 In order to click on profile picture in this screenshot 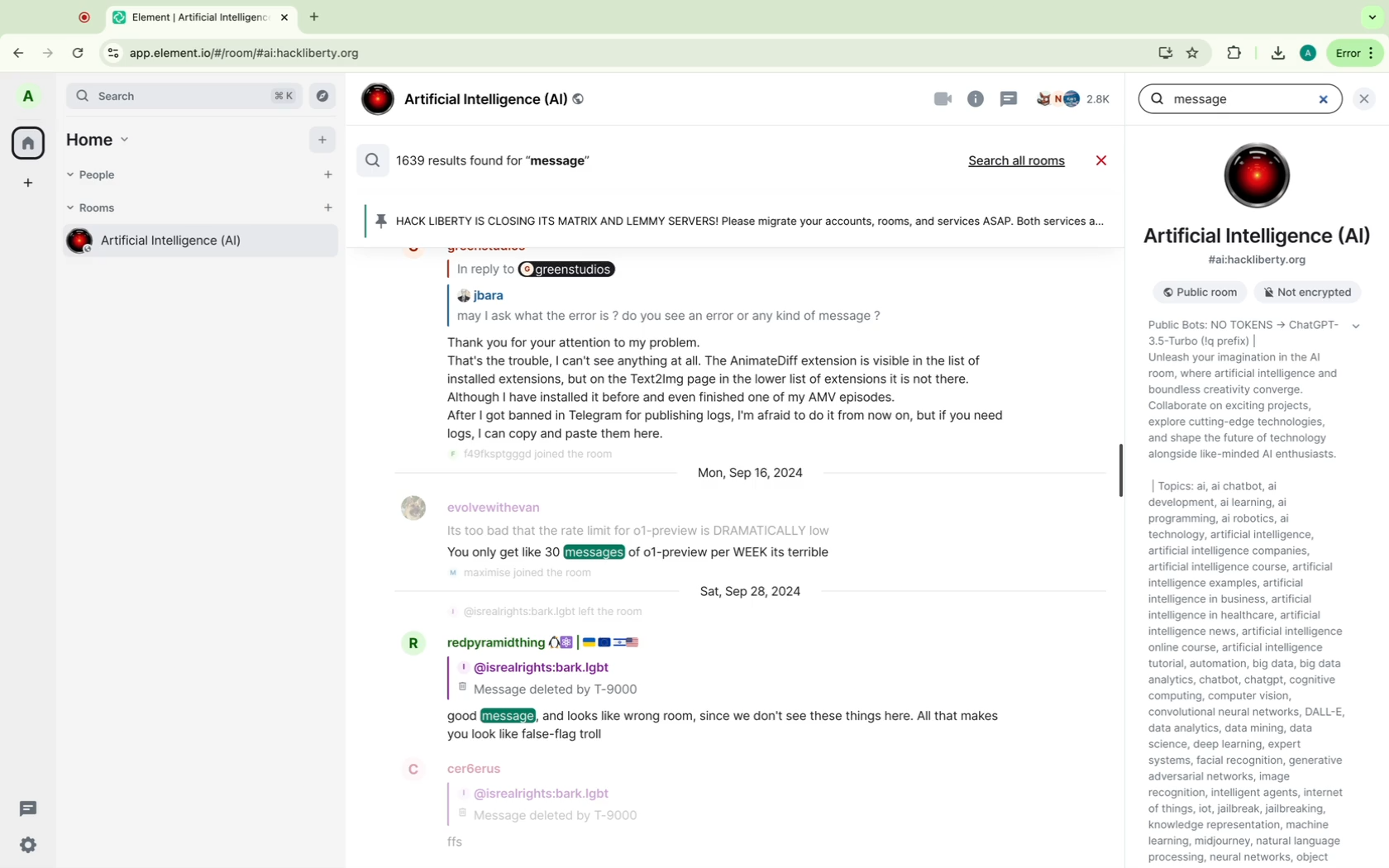, I will do `click(31, 98)`.